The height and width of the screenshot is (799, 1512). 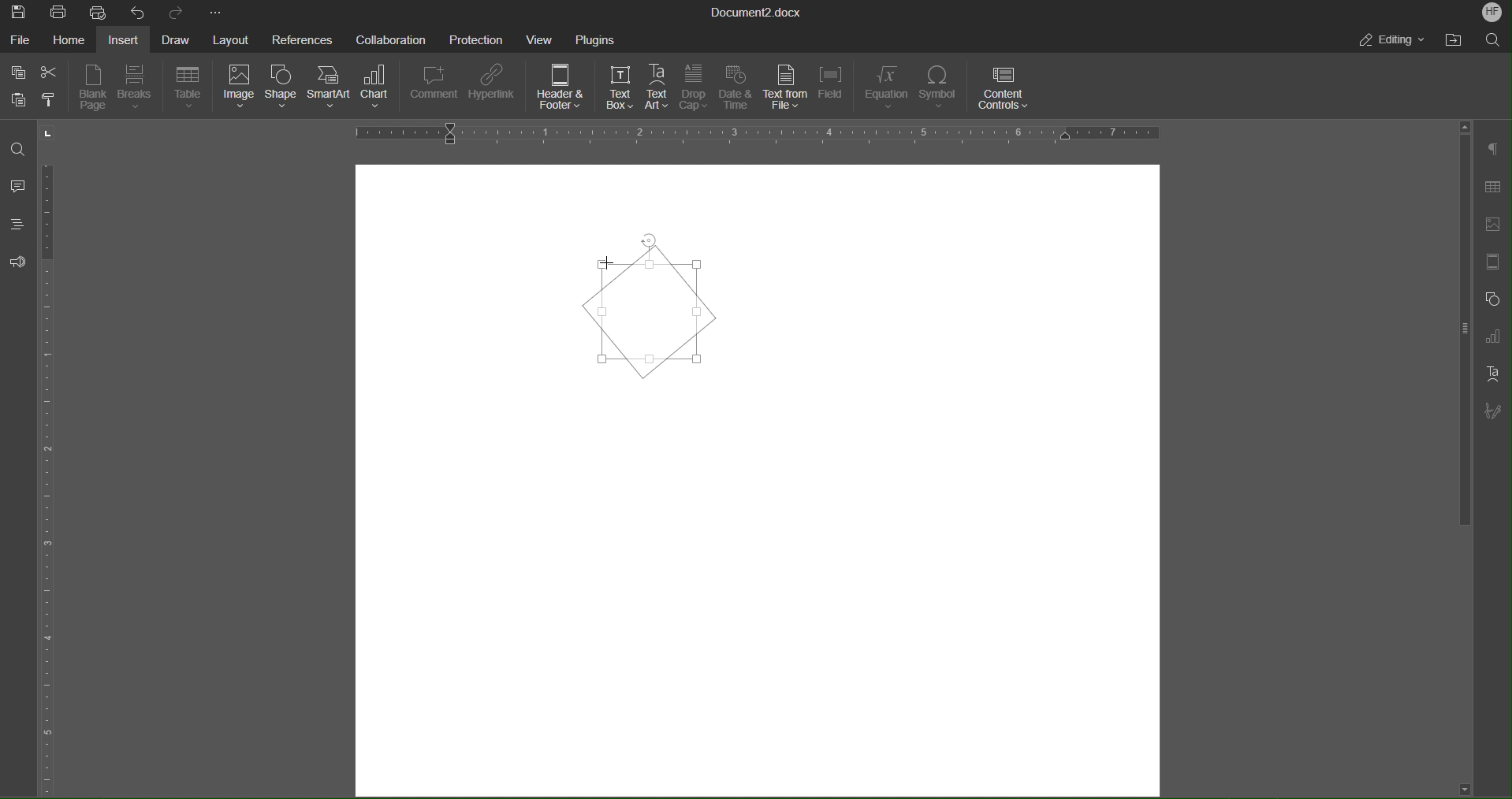 What do you see at coordinates (50, 69) in the screenshot?
I see `Cut` at bounding box center [50, 69].